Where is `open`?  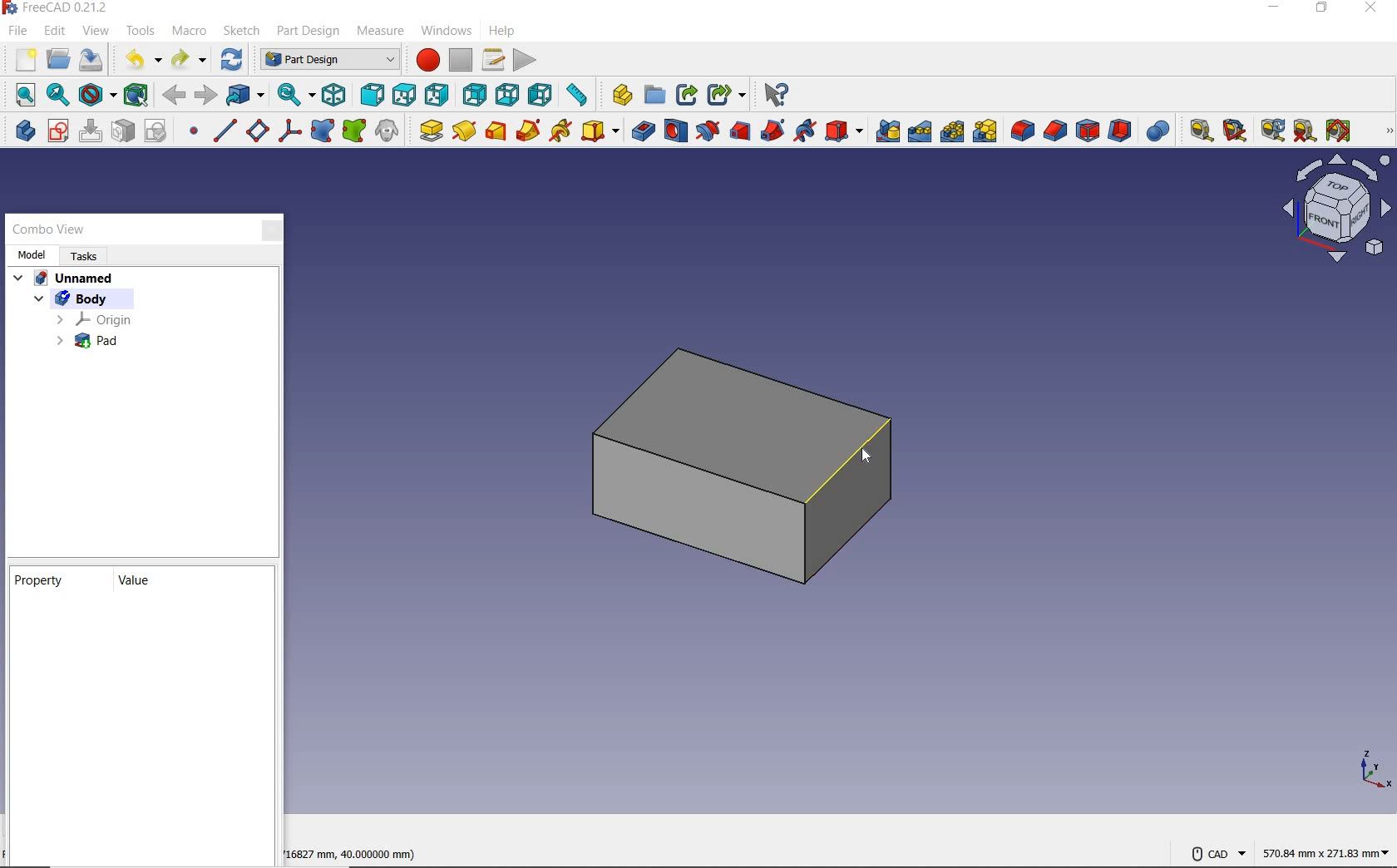
open is located at coordinates (58, 59).